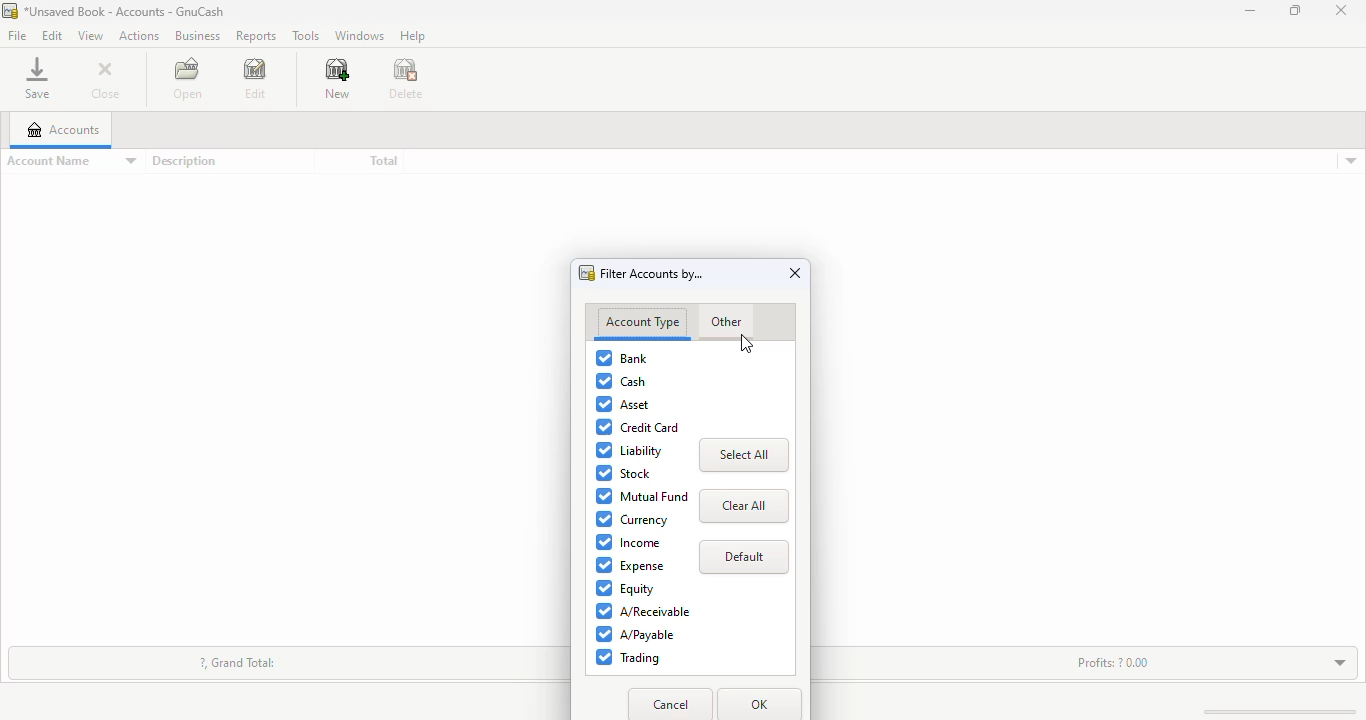 This screenshot has width=1366, height=720. I want to click on cancel, so click(673, 705).